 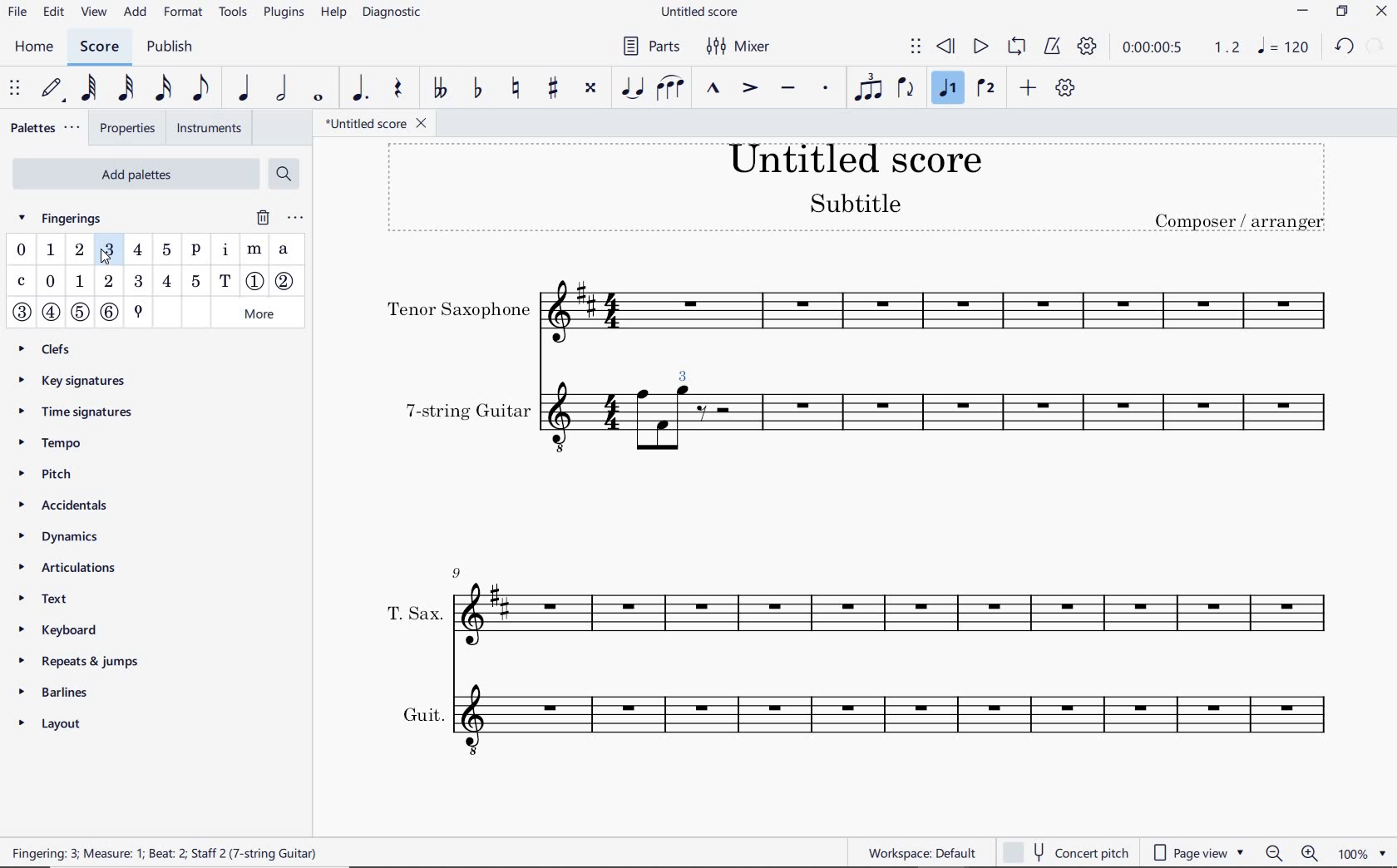 What do you see at coordinates (70, 217) in the screenshot?
I see `FINGERINGS` at bounding box center [70, 217].